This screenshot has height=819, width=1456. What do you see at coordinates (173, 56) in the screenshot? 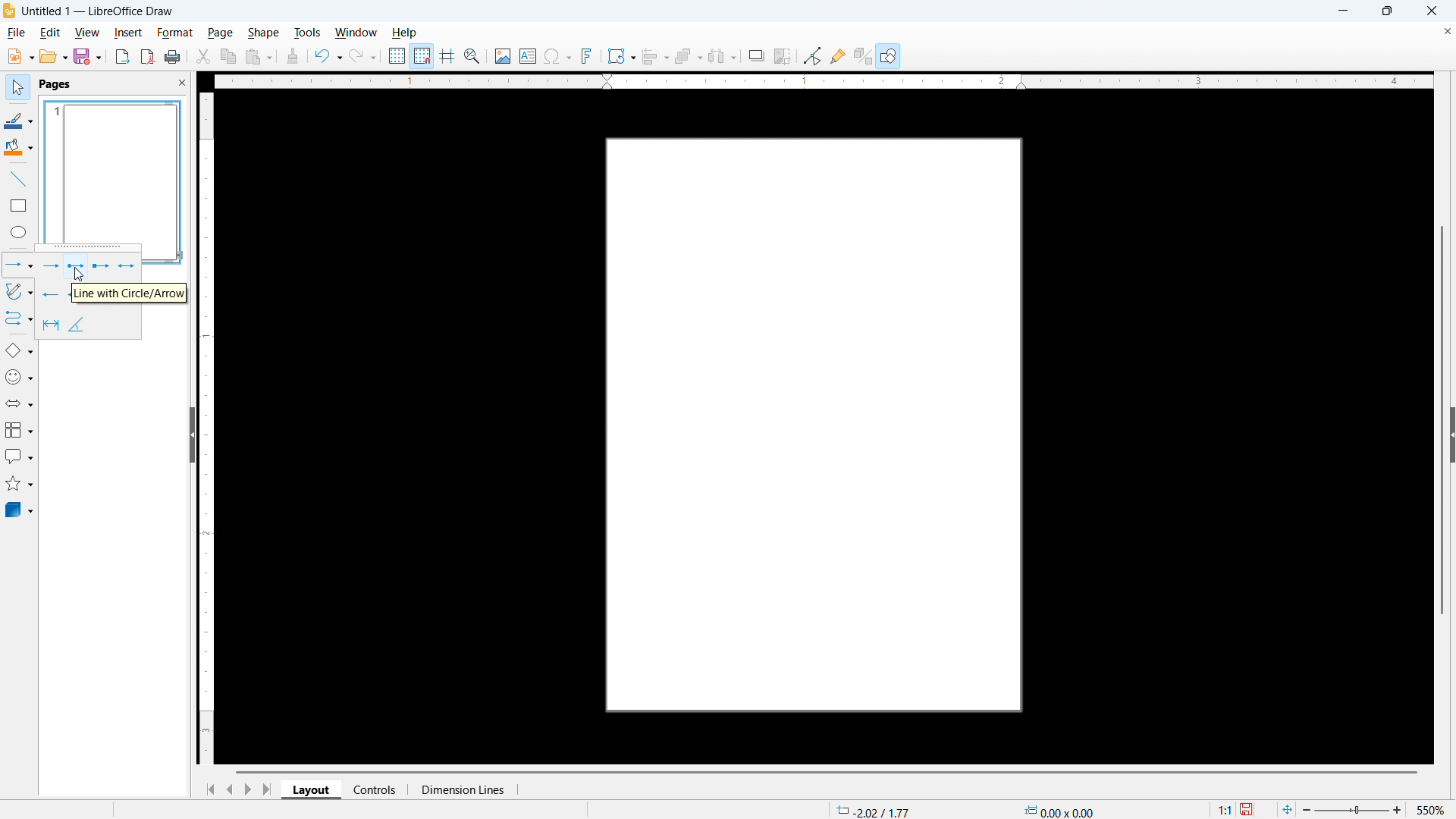
I see `print ` at bounding box center [173, 56].